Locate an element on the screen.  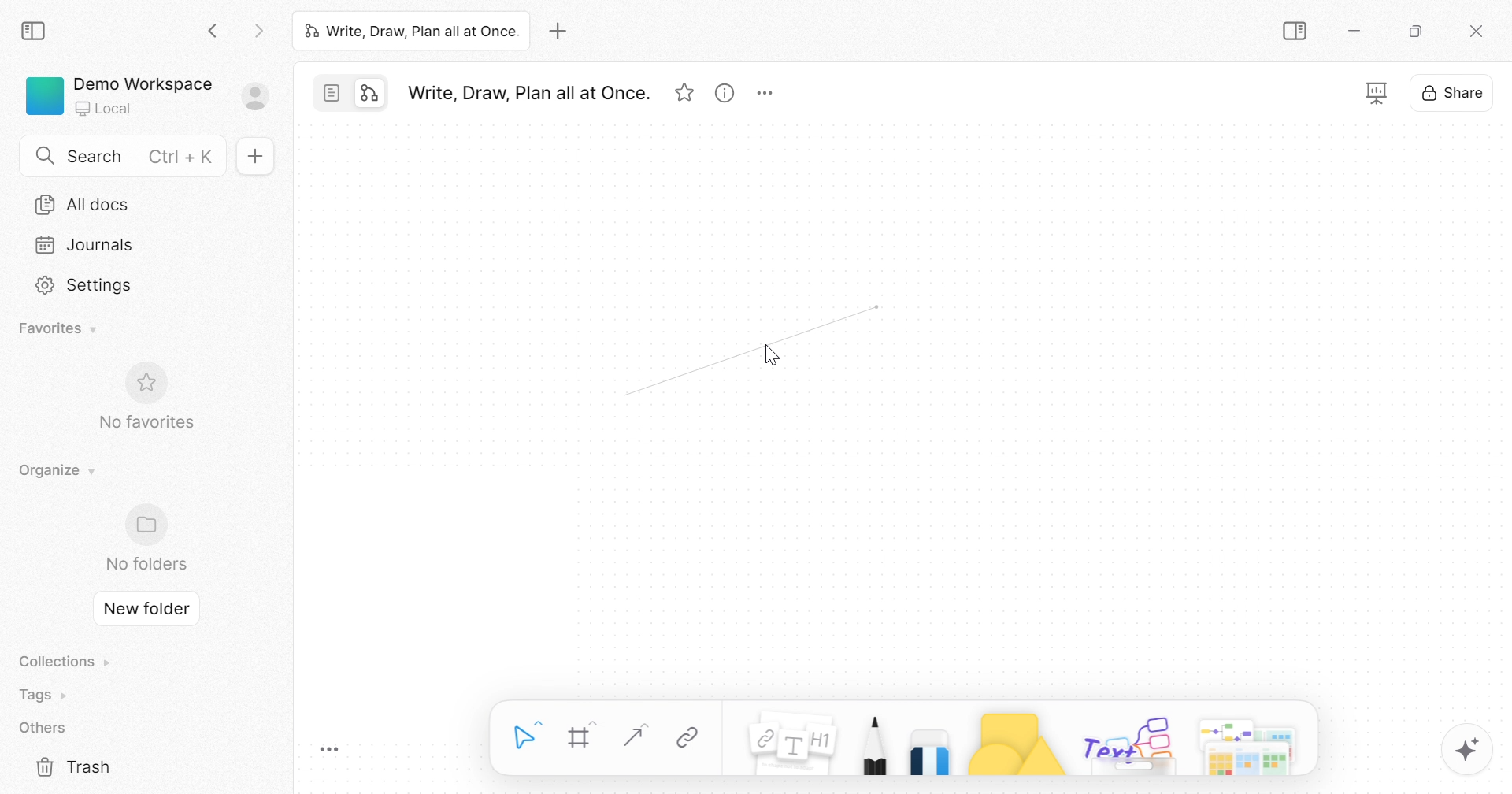
Link is located at coordinates (688, 739).